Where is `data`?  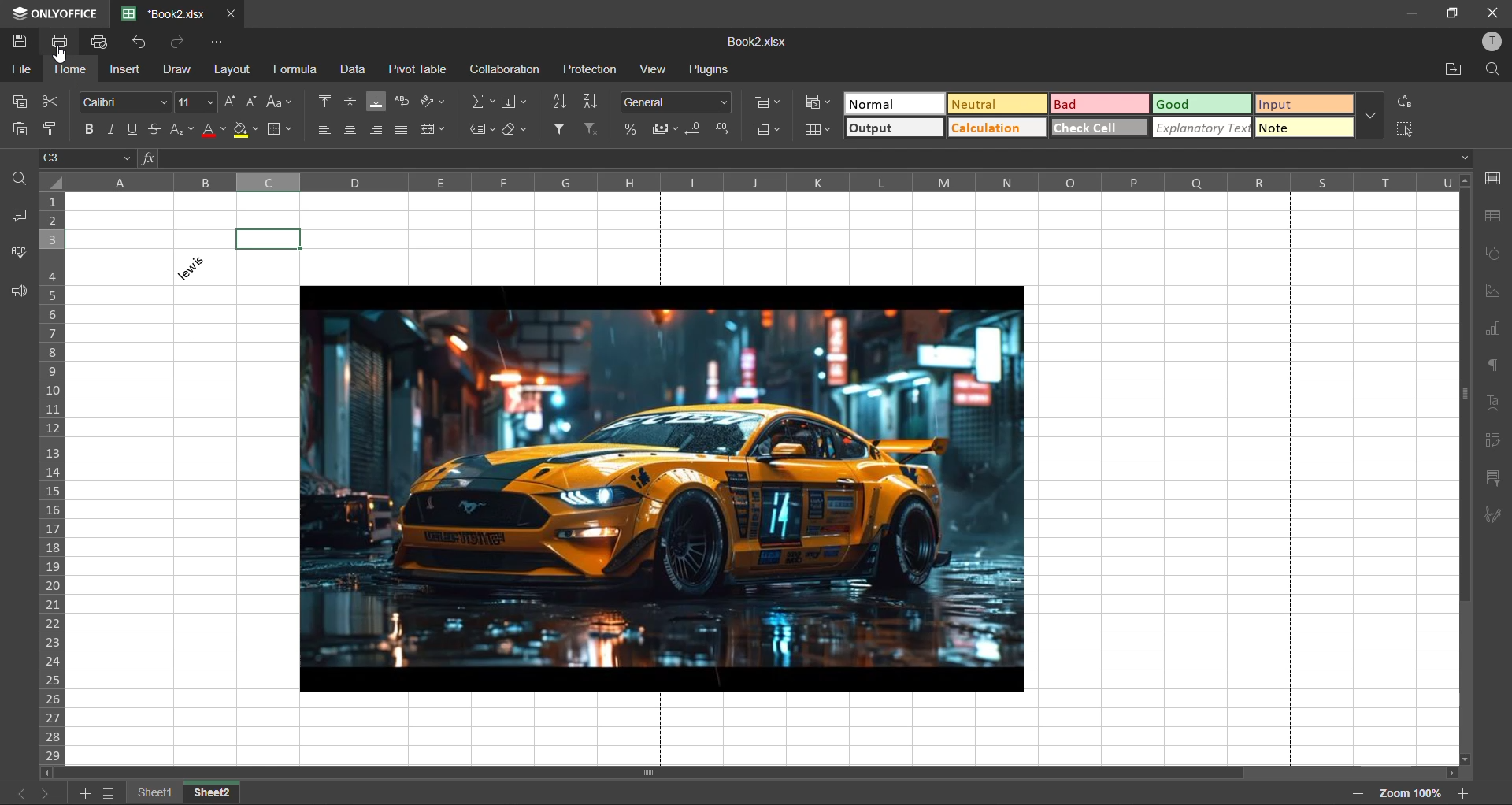
data is located at coordinates (350, 69).